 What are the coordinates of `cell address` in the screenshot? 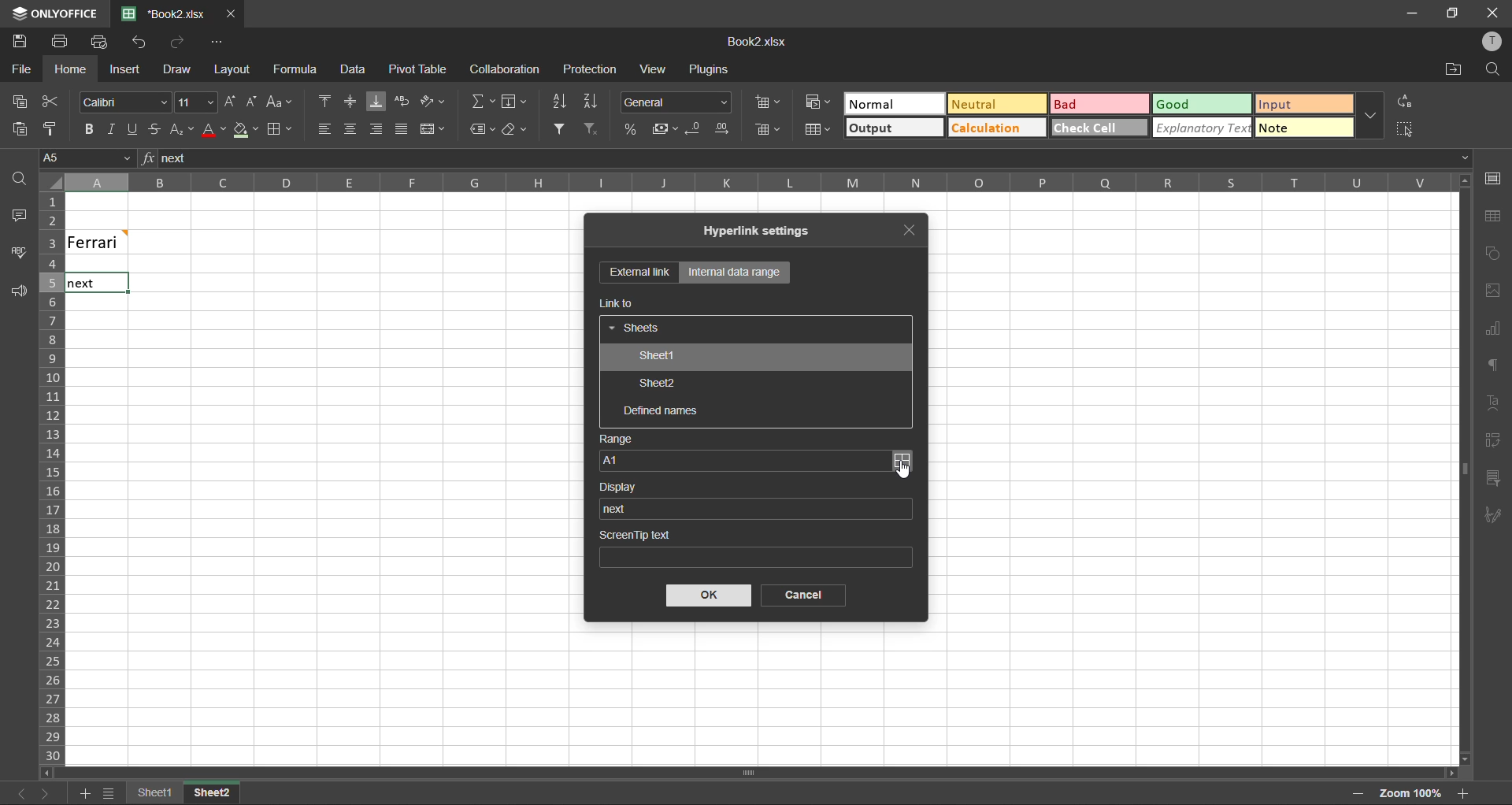 It's located at (86, 158).